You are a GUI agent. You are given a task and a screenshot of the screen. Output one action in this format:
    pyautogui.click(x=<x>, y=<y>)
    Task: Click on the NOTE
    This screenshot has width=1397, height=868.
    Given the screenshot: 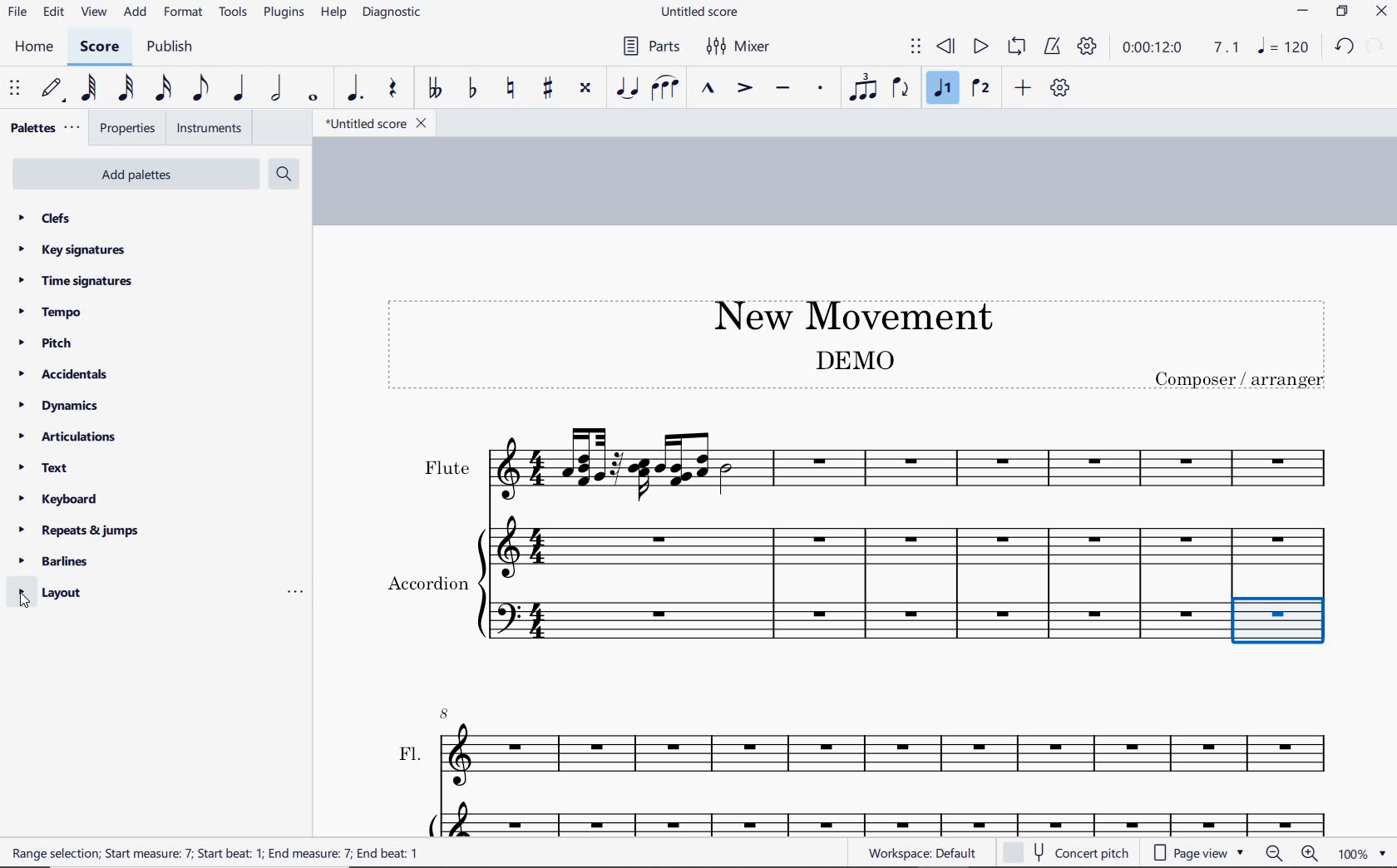 What is the action you would take?
    pyautogui.click(x=1285, y=47)
    